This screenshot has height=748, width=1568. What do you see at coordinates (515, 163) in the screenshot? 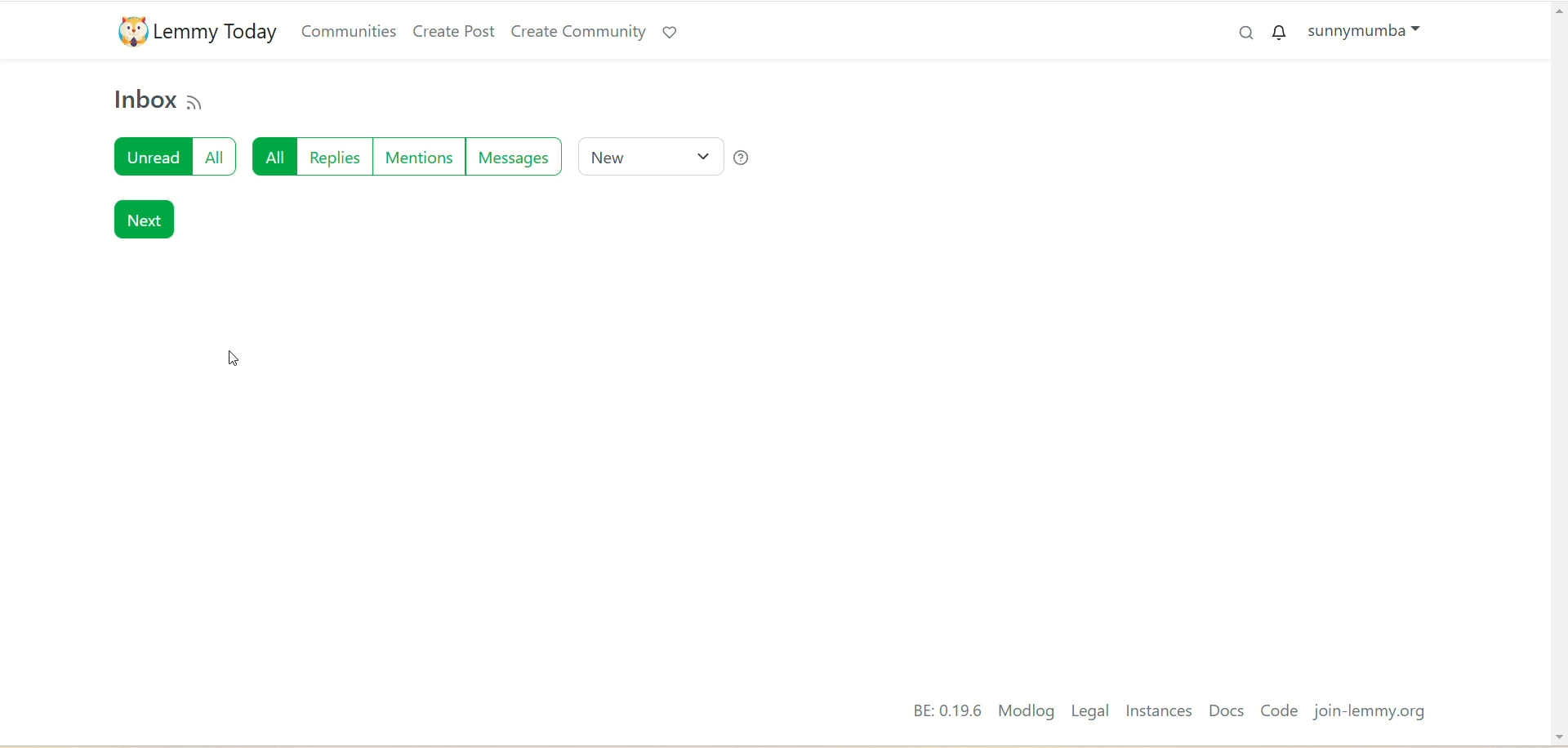
I see `messages` at bounding box center [515, 163].